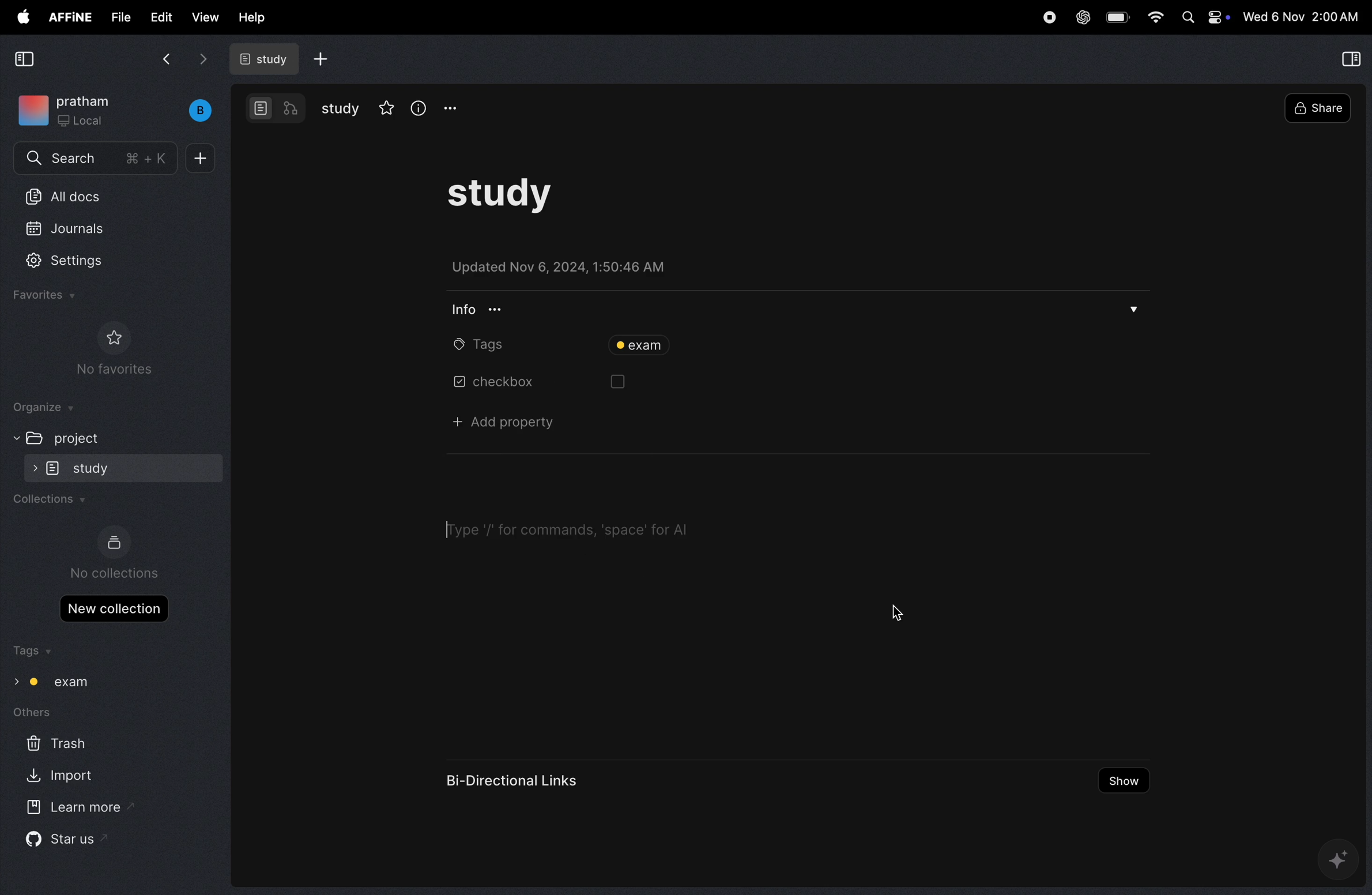 The image size is (1372, 895). I want to click on battery, so click(1118, 18).